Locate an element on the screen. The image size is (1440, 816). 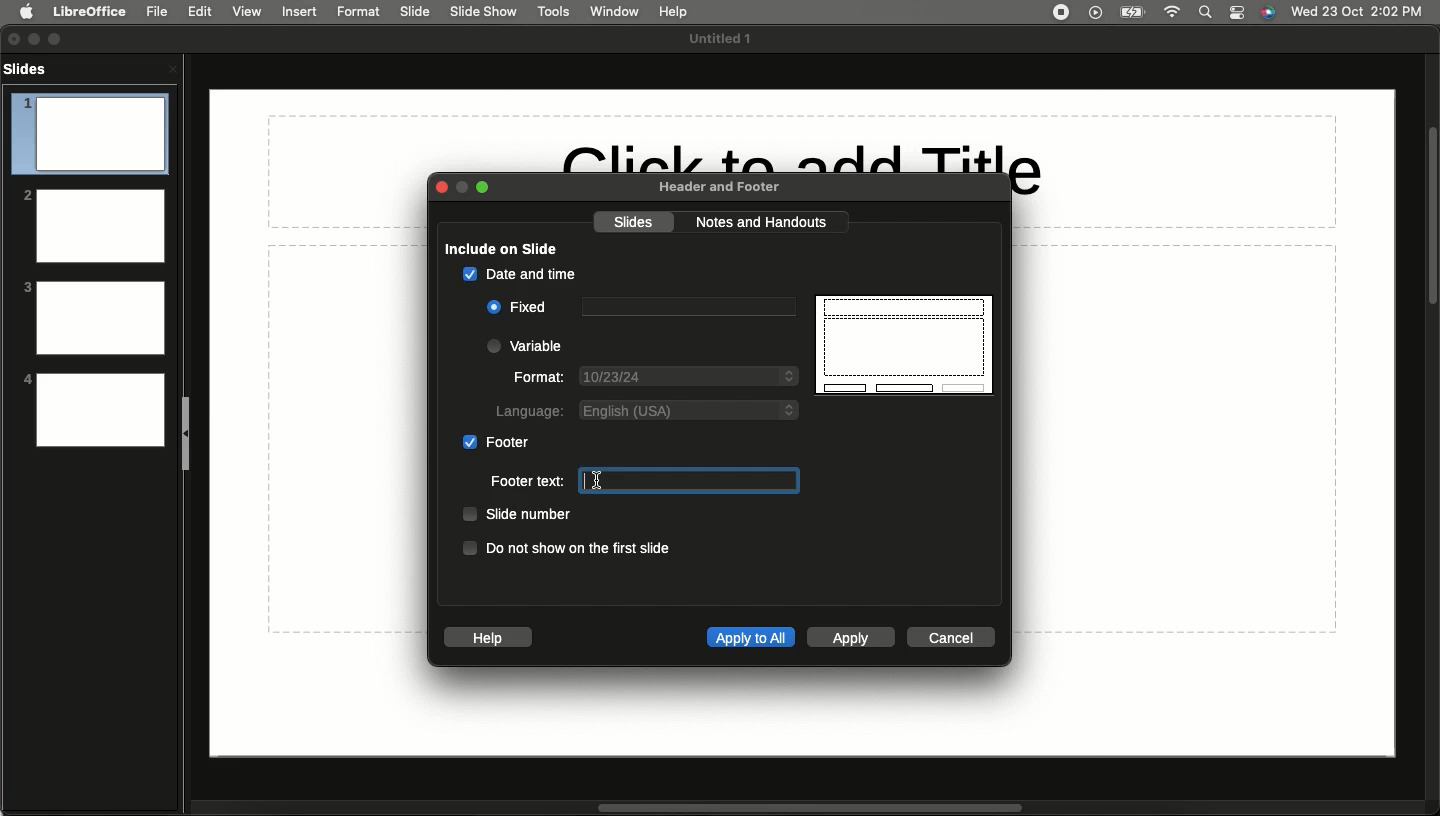
Help is located at coordinates (486, 638).